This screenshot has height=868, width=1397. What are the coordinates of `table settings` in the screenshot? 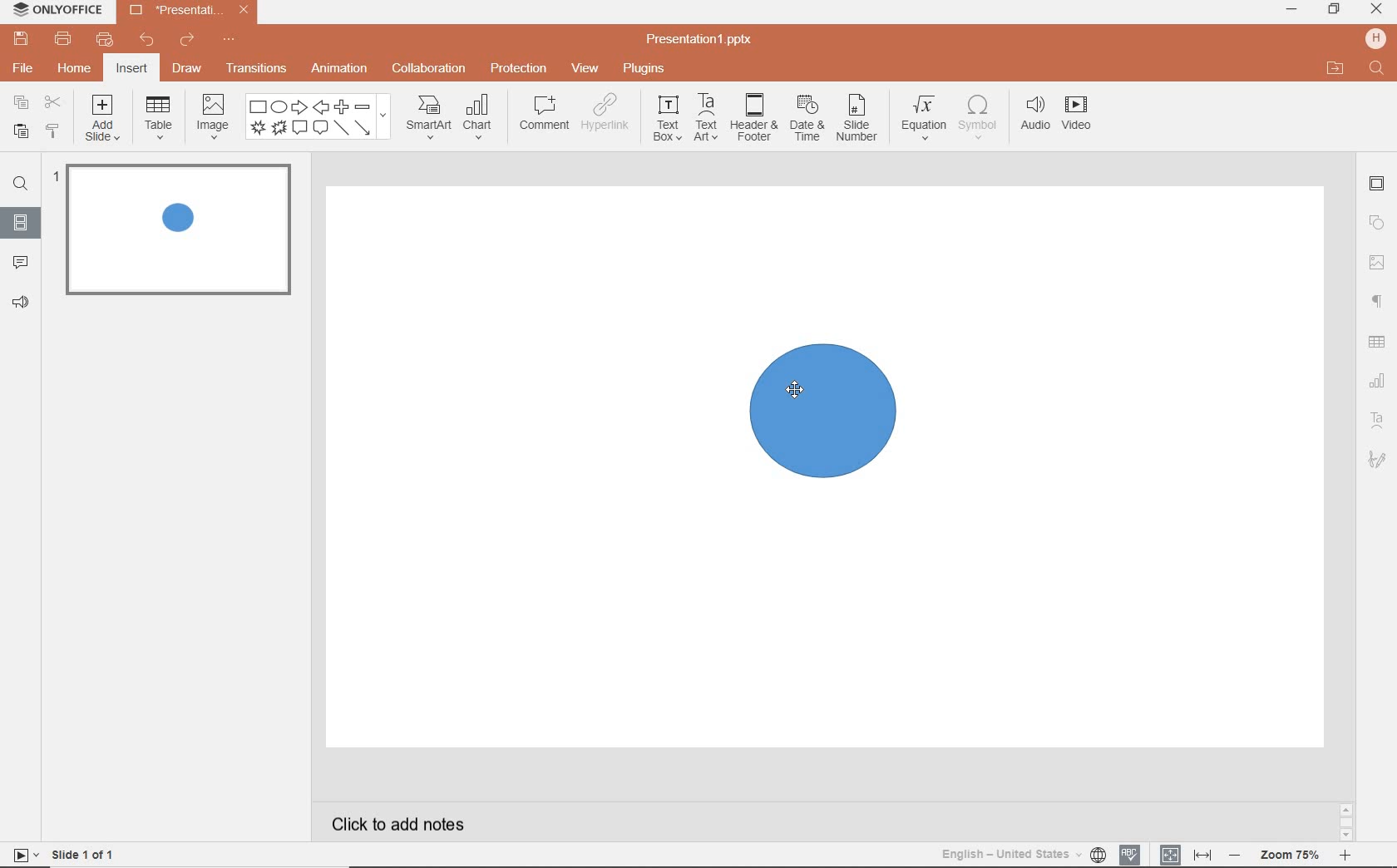 It's located at (1379, 341).